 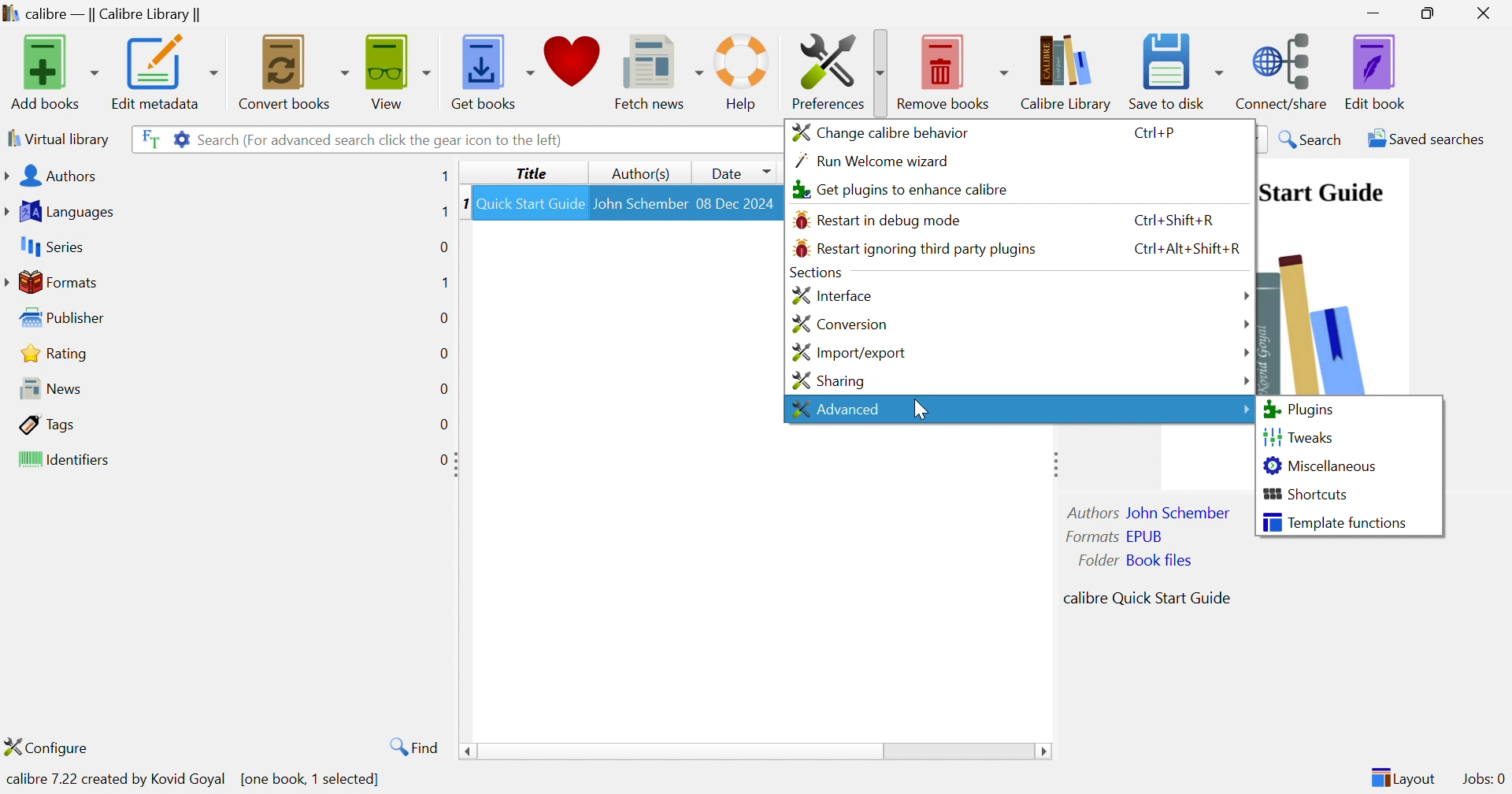 I want to click on Rating, so click(x=57, y=353).